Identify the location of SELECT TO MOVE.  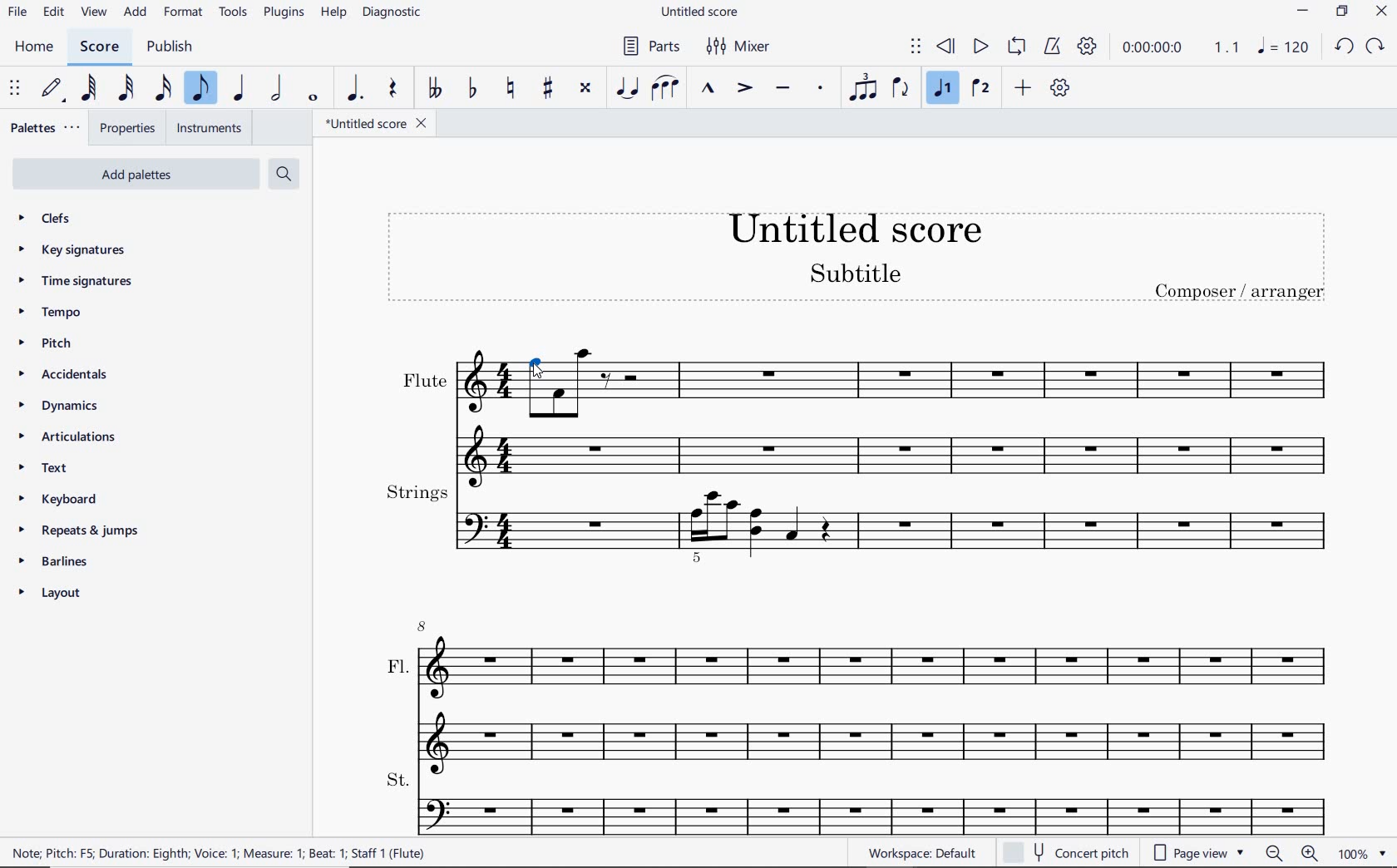
(15, 89).